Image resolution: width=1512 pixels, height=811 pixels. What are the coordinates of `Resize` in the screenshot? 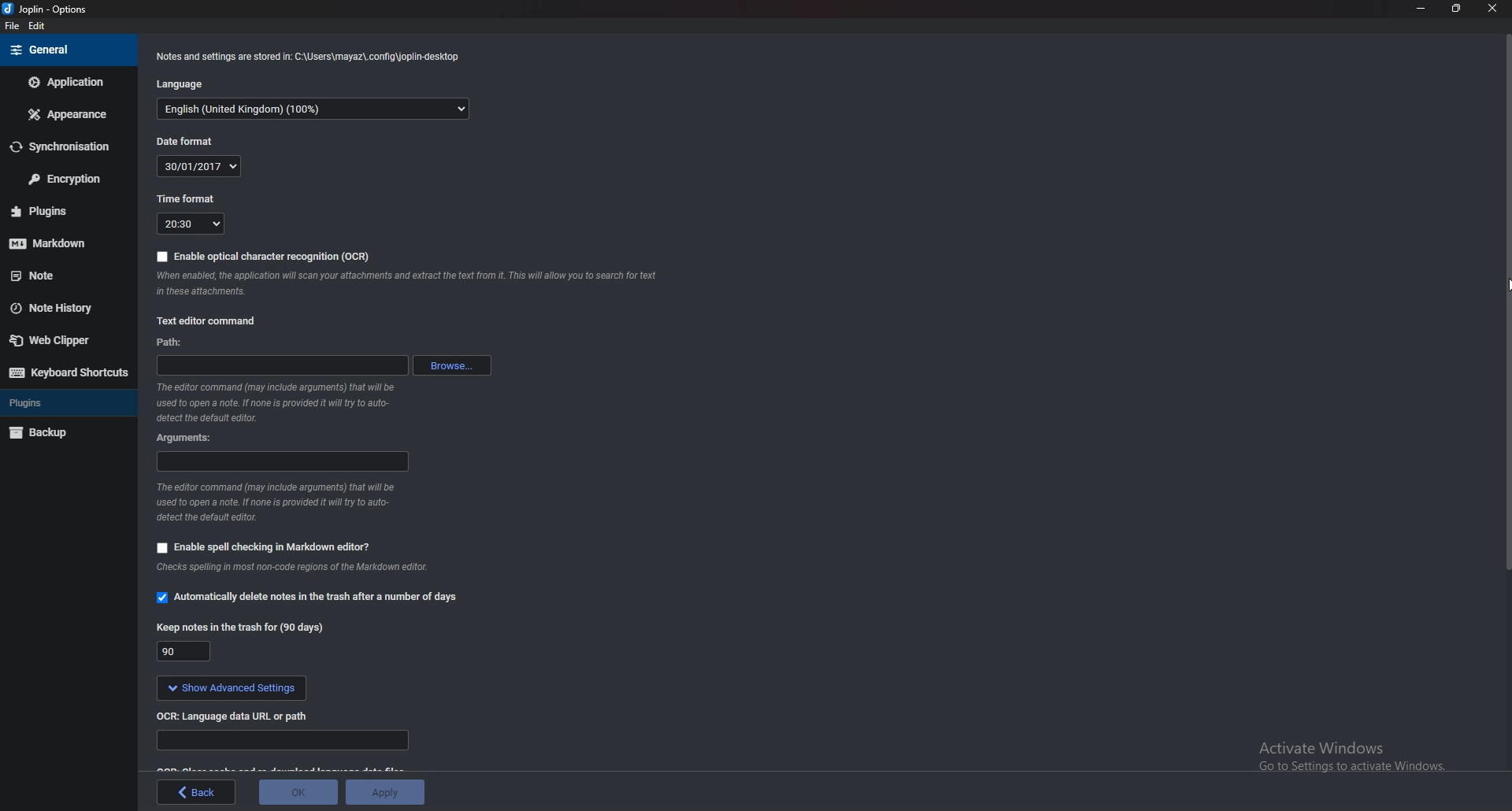 It's located at (1457, 9).